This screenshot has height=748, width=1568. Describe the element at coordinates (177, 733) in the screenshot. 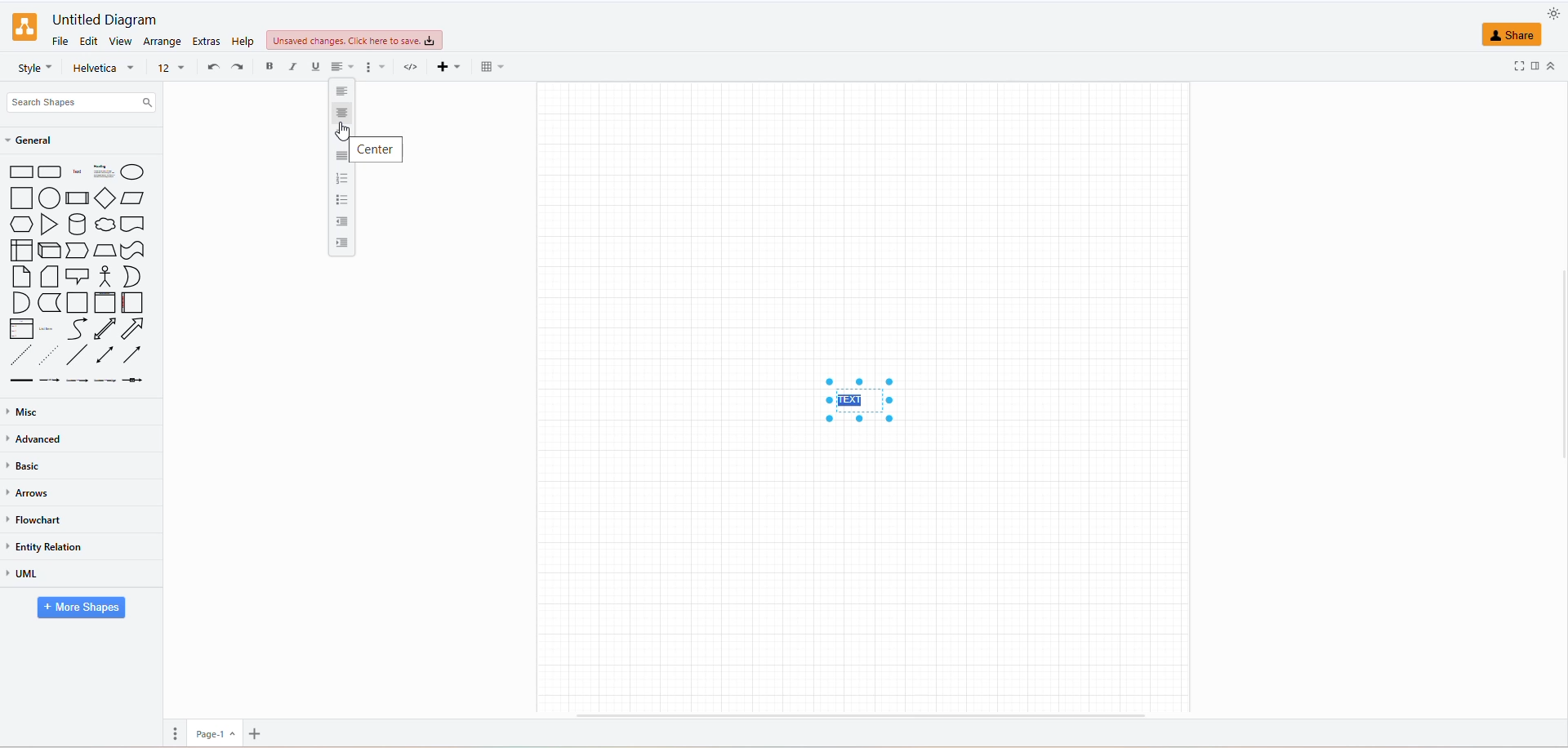

I see `page` at that location.